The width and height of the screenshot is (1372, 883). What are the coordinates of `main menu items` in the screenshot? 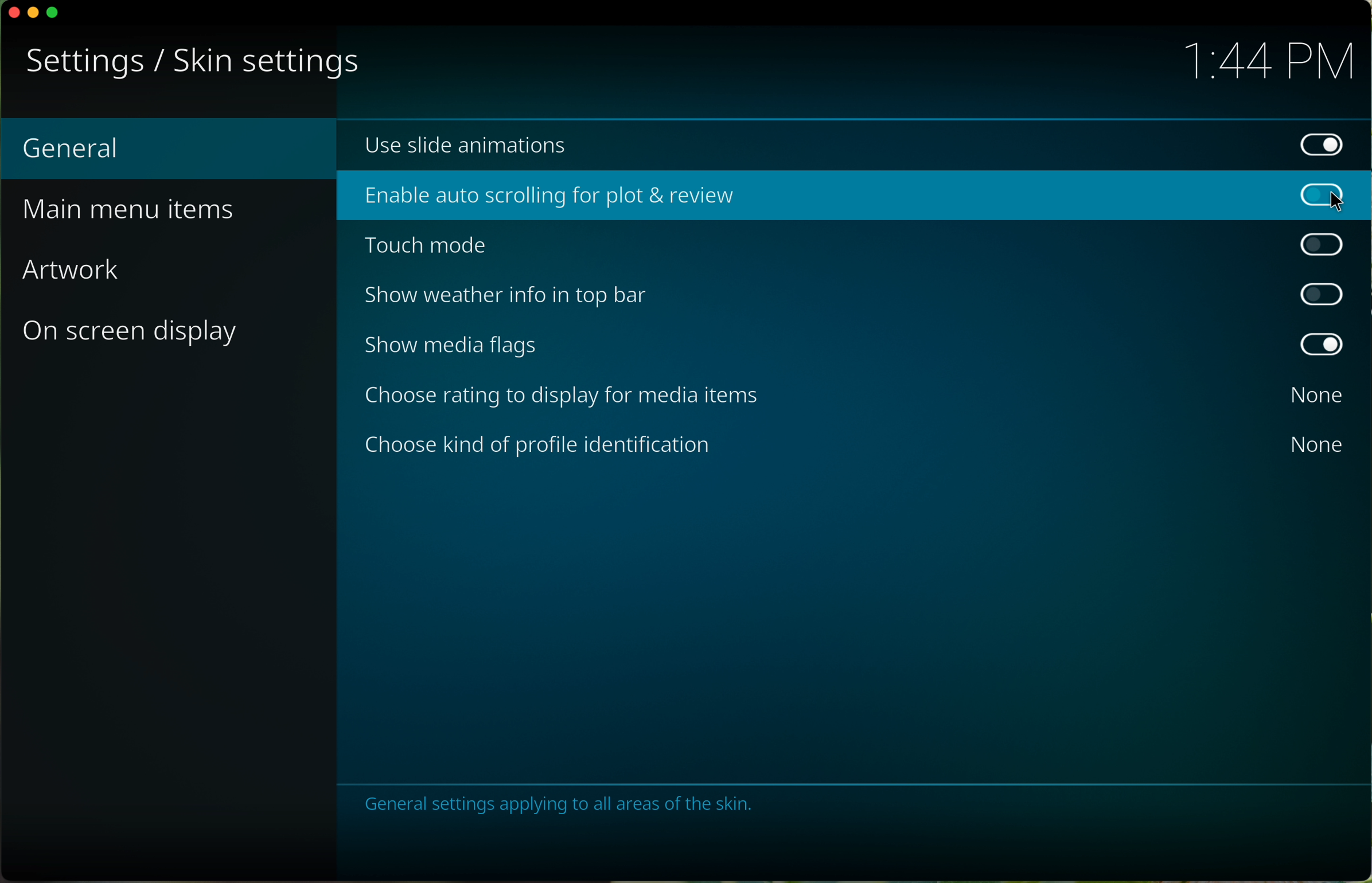 It's located at (135, 212).